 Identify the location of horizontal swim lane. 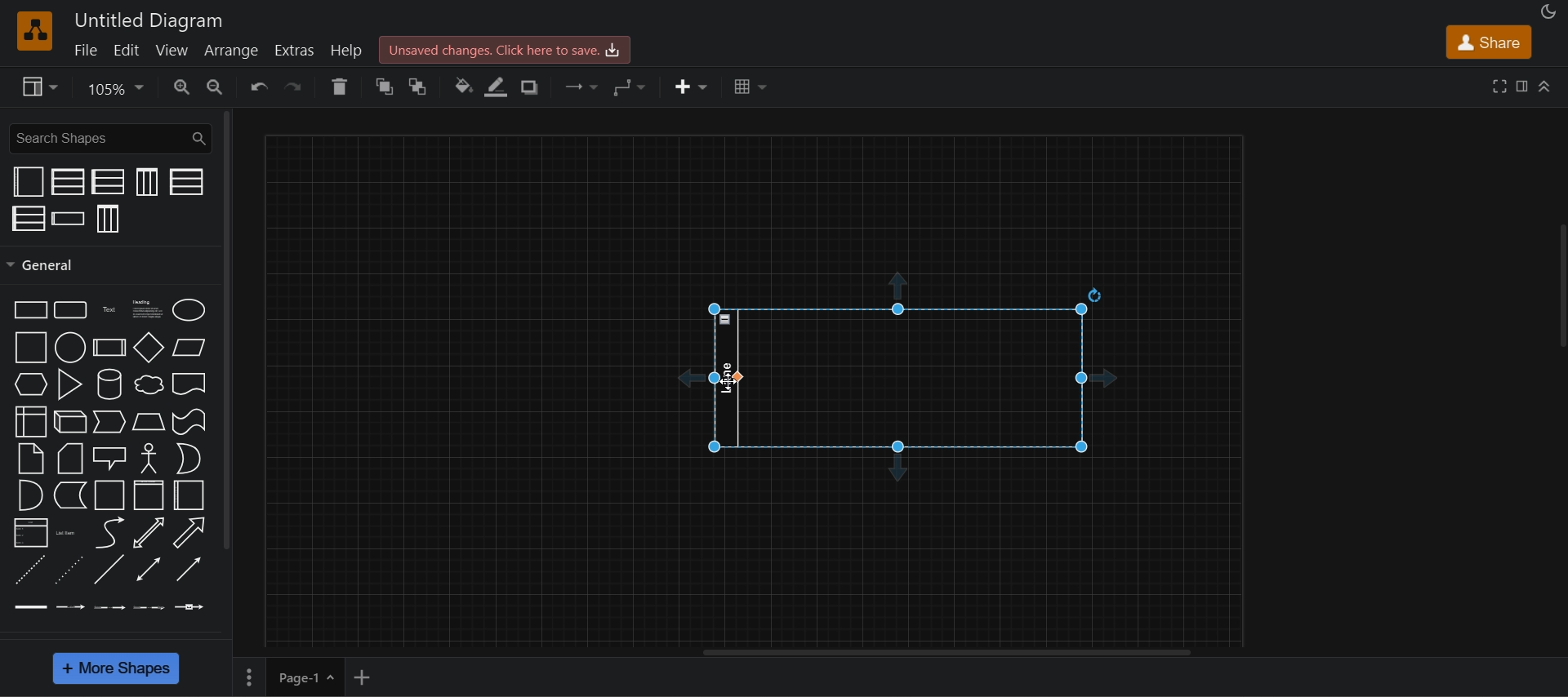
(906, 379).